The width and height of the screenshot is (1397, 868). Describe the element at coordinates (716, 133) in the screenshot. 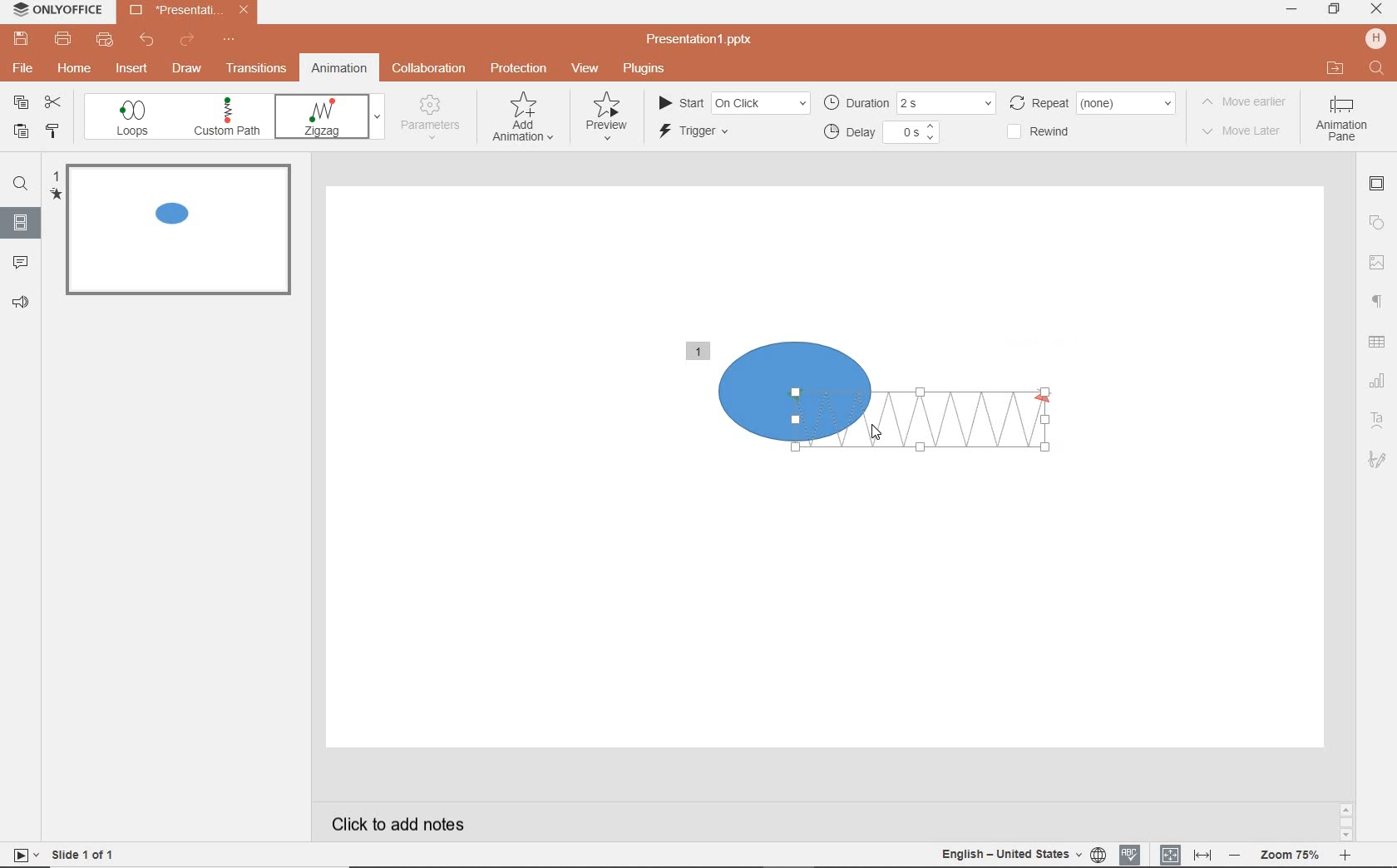

I see `trigger` at that location.